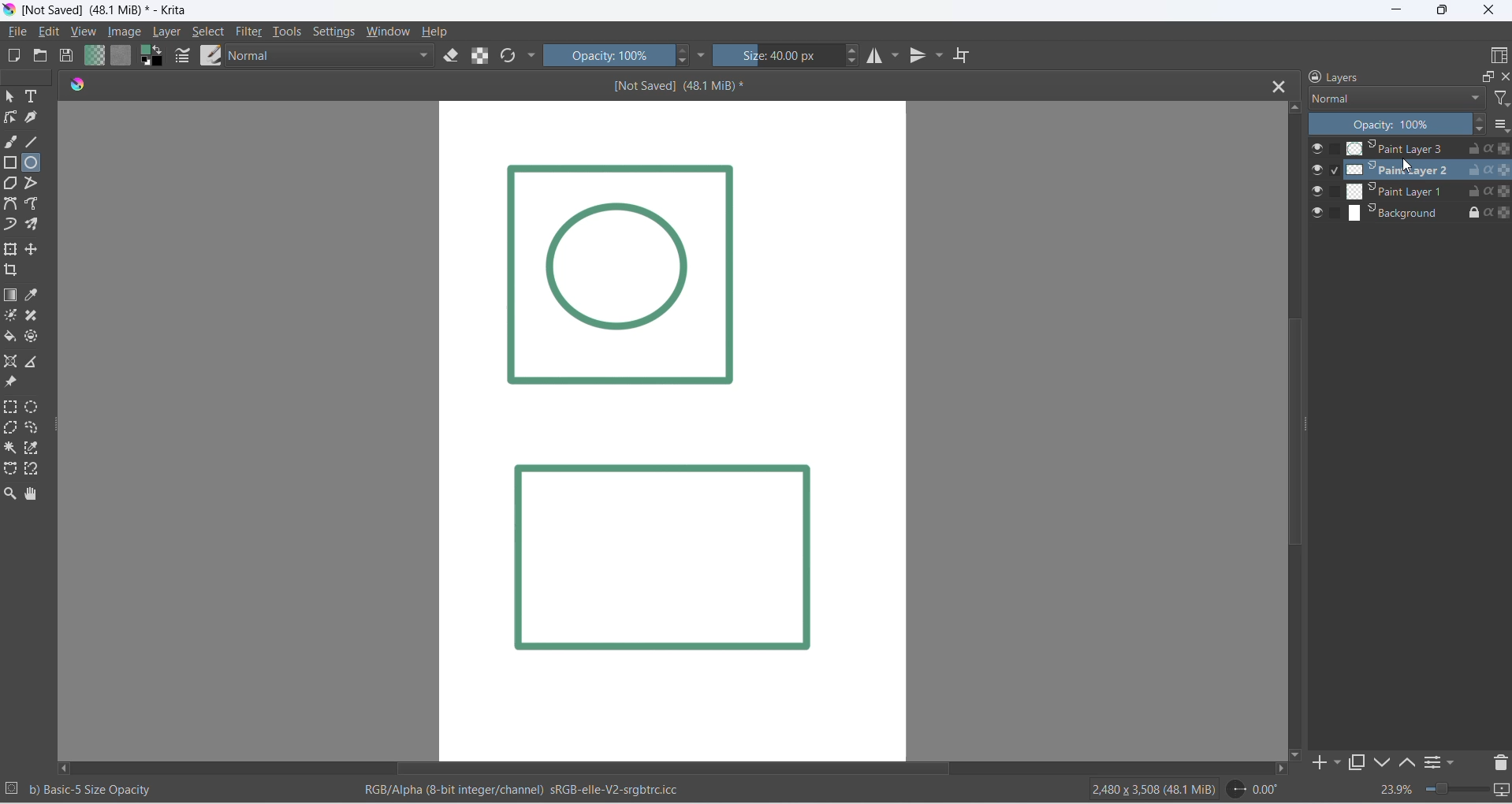 The width and height of the screenshot is (1512, 804). I want to click on curve selection tool, so click(36, 430).